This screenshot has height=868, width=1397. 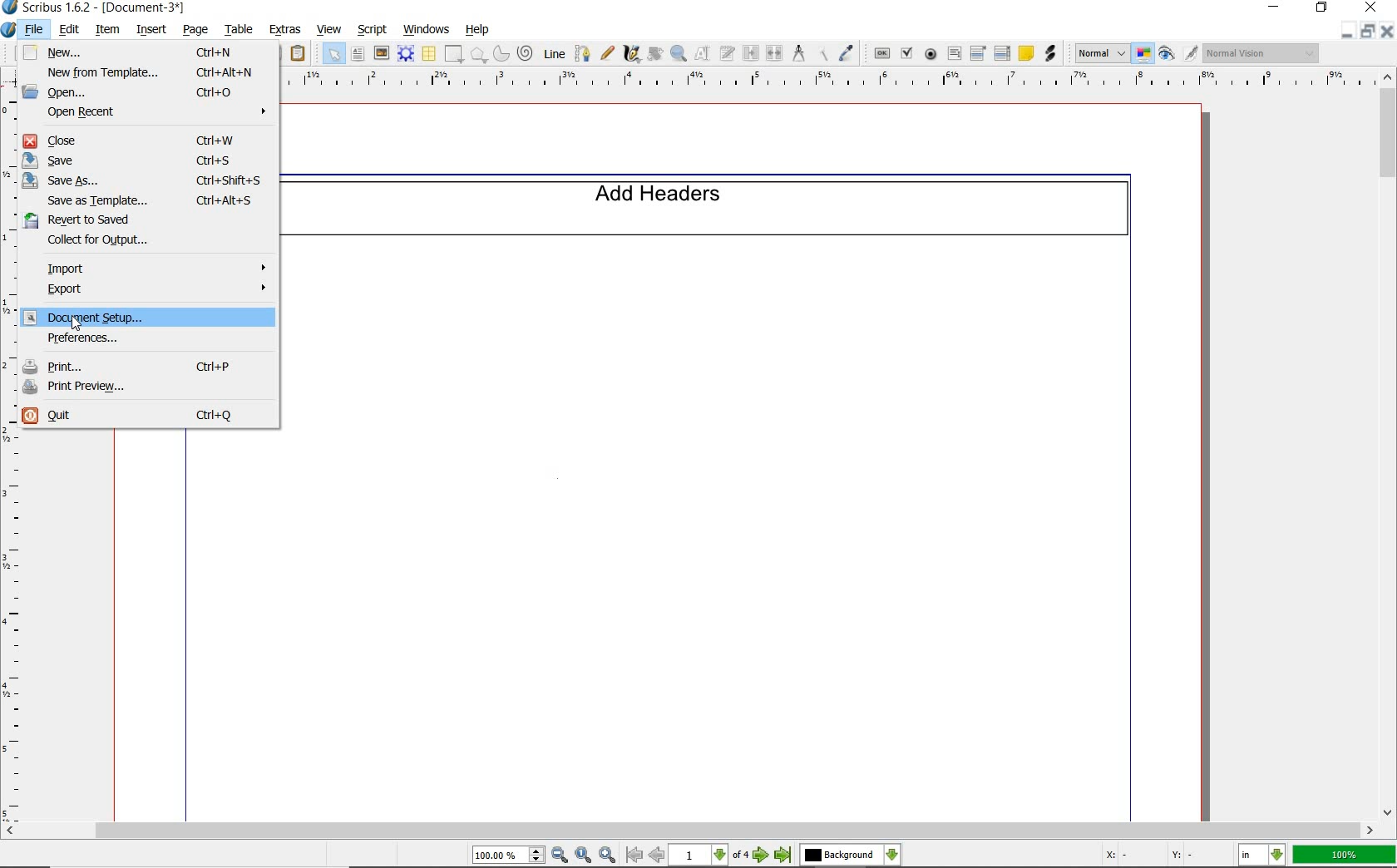 I want to click on select the current unit, so click(x=1264, y=856).